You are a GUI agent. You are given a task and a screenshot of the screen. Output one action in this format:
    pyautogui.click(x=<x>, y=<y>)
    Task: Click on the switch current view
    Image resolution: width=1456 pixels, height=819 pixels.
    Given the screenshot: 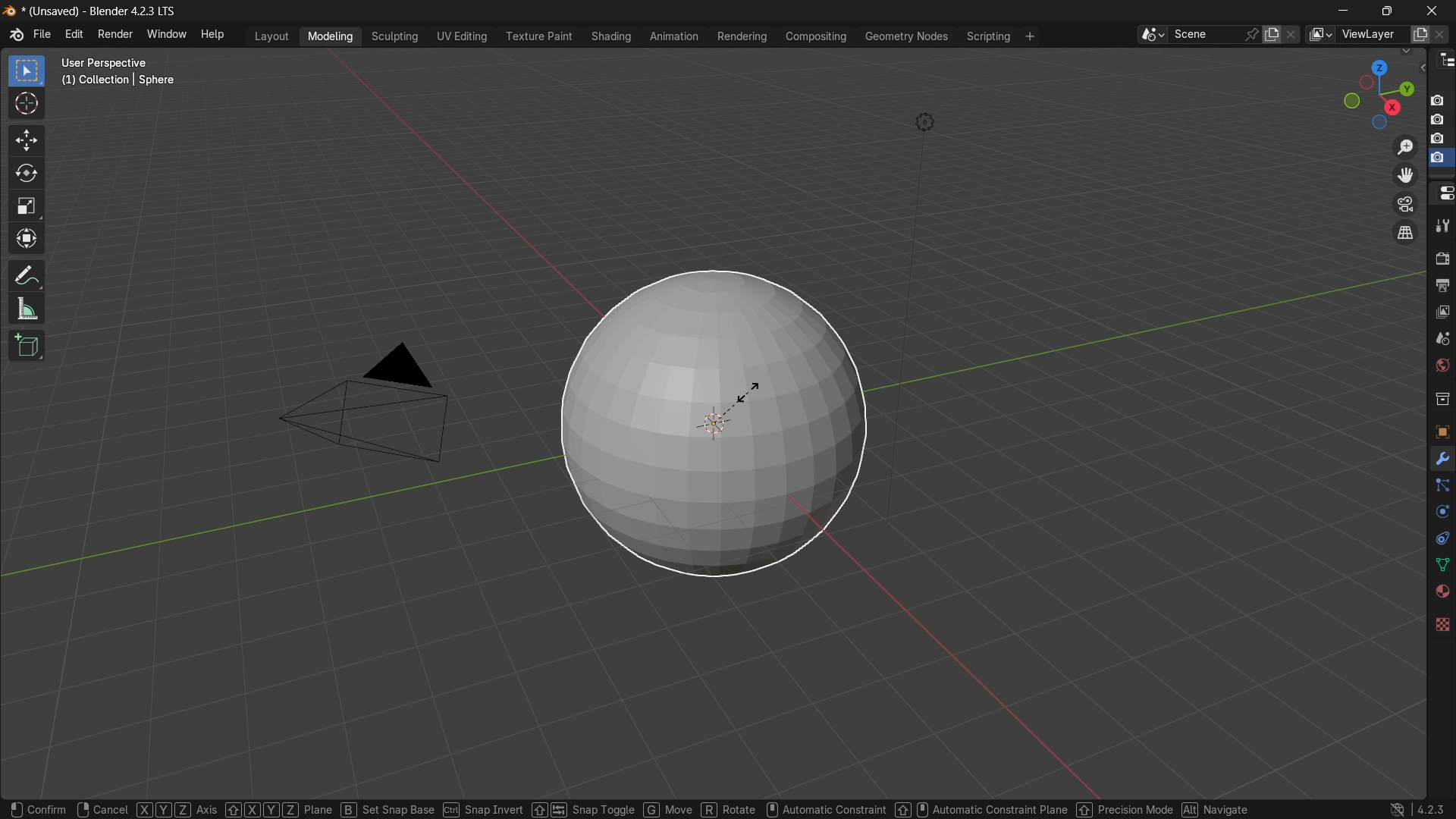 What is the action you would take?
    pyautogui.click(x=1408, y=234)
    